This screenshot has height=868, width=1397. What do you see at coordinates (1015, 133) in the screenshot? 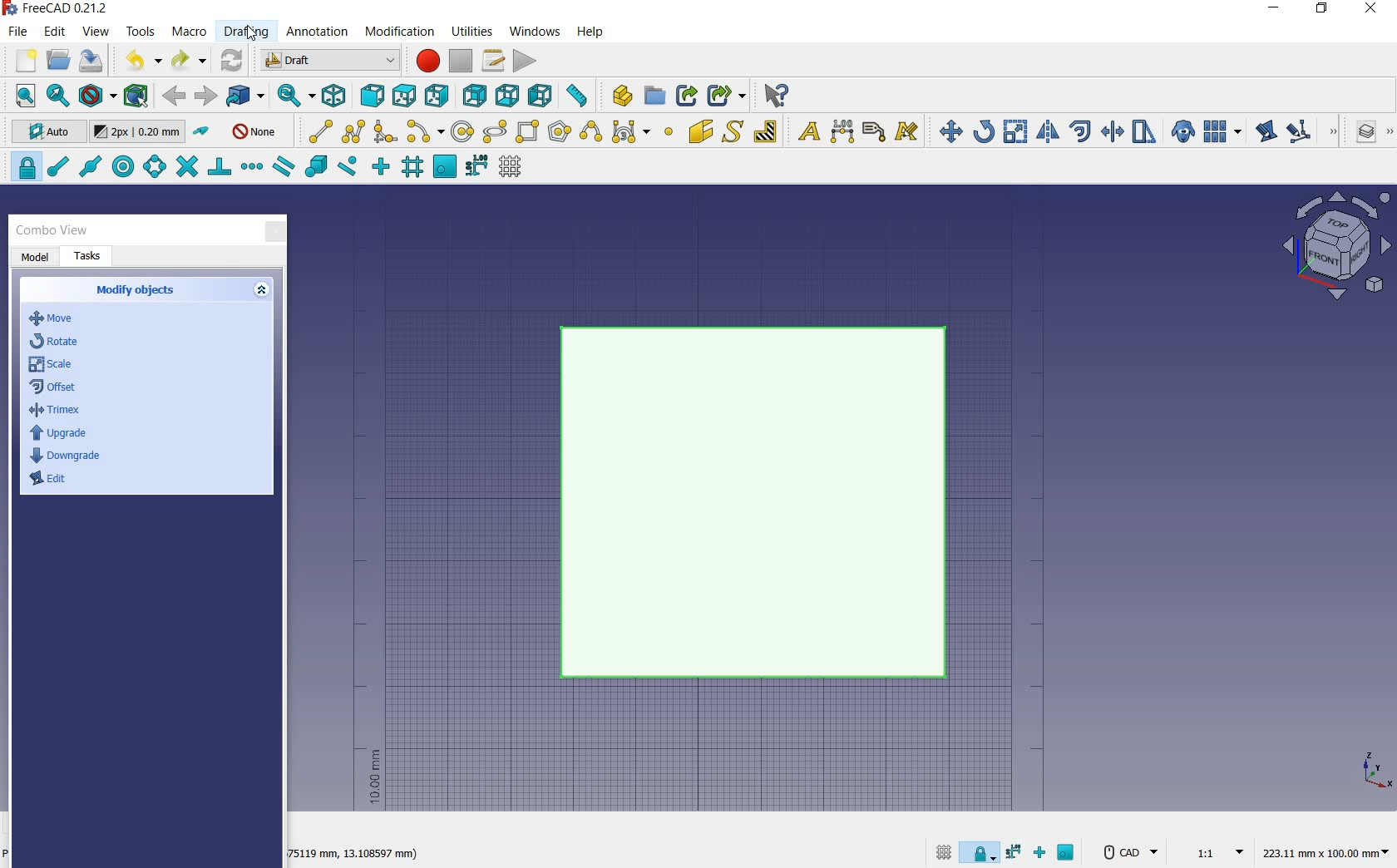
I see `scale` at bounding box center [1015, 133].